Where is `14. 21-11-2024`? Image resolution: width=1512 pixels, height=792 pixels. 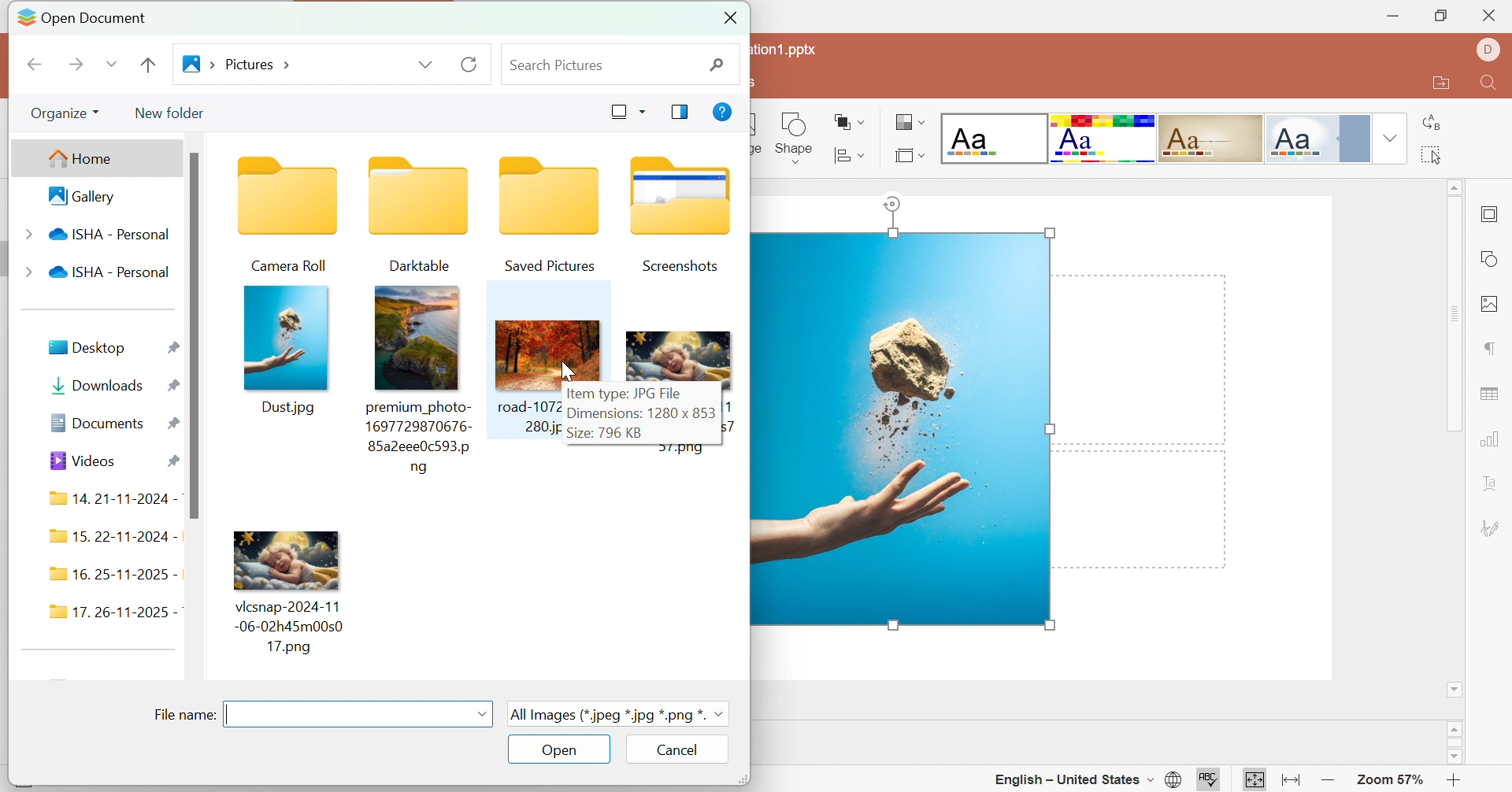
14. 21-11-2024 is located at coordinates (114, 495).